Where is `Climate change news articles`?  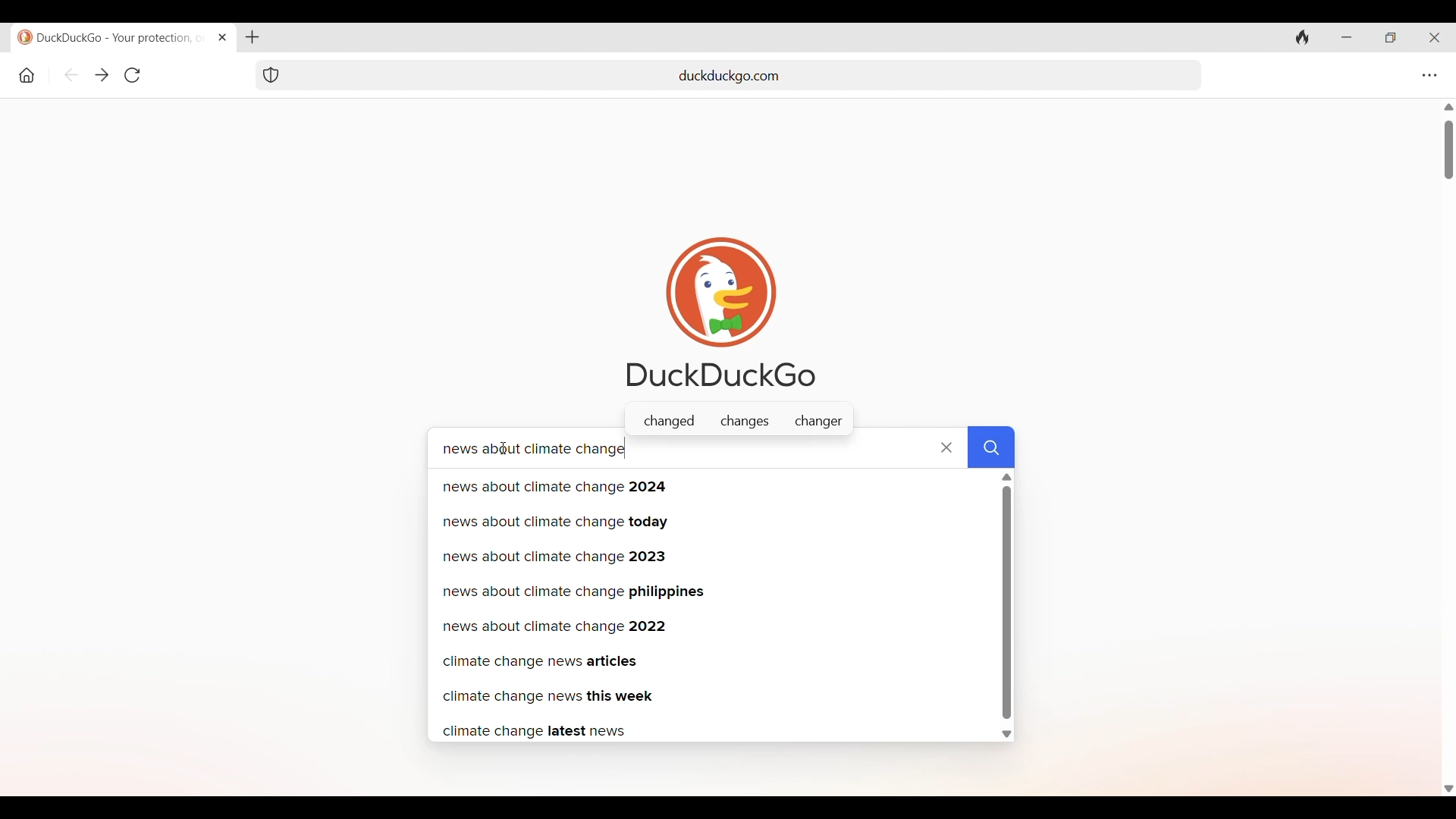 Climate change news articles is located at coordinates (714, 661).